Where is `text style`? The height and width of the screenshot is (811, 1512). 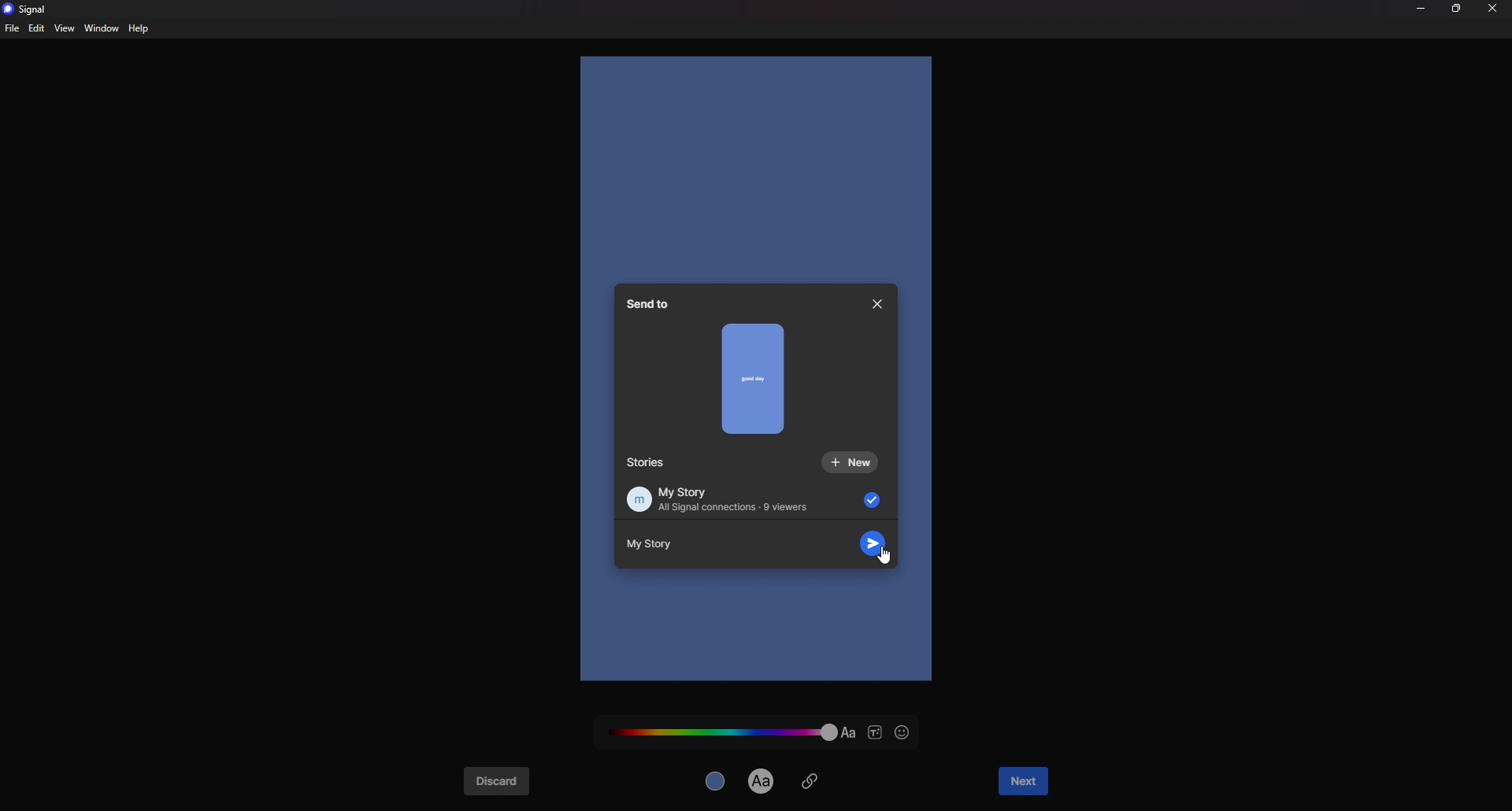
text style is located at coordinates (876, 733).